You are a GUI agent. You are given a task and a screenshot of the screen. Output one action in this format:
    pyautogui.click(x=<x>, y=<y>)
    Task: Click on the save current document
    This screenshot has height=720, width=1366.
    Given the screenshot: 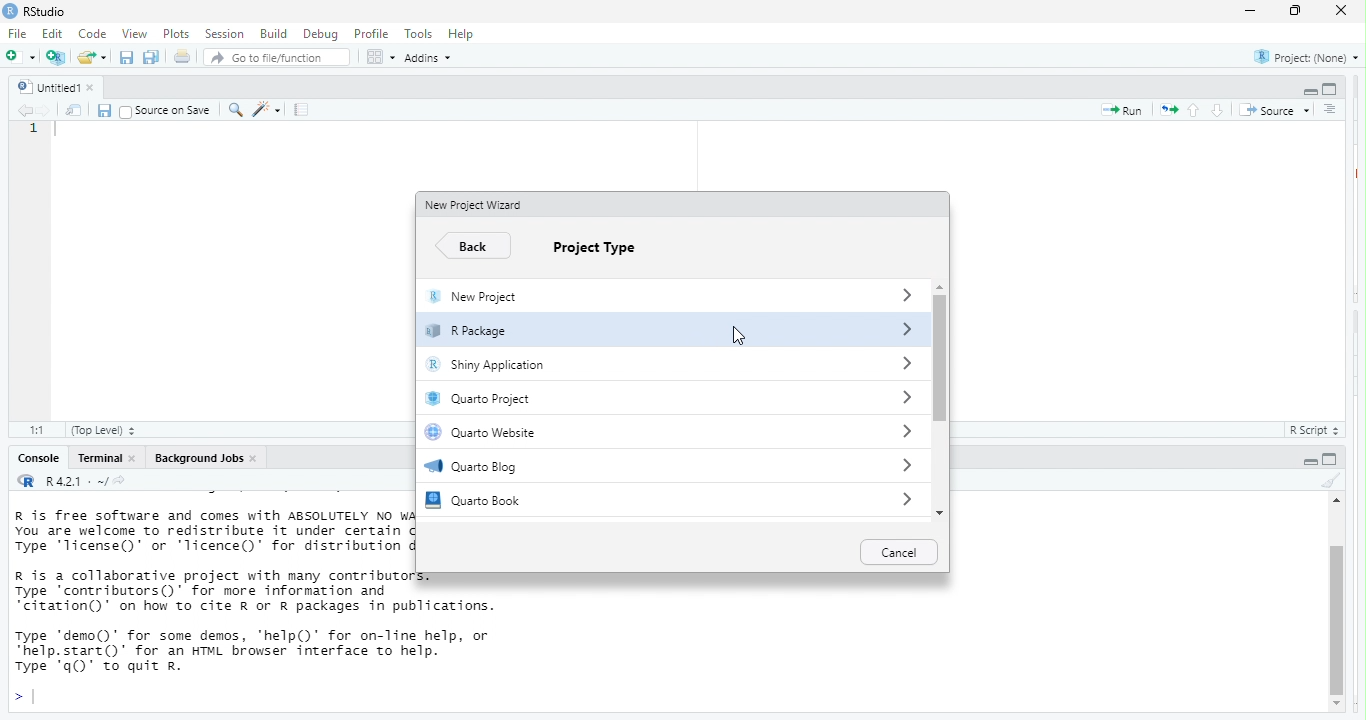 What is the action you would take?
    pyautogui.click(x=105, y=110)
    